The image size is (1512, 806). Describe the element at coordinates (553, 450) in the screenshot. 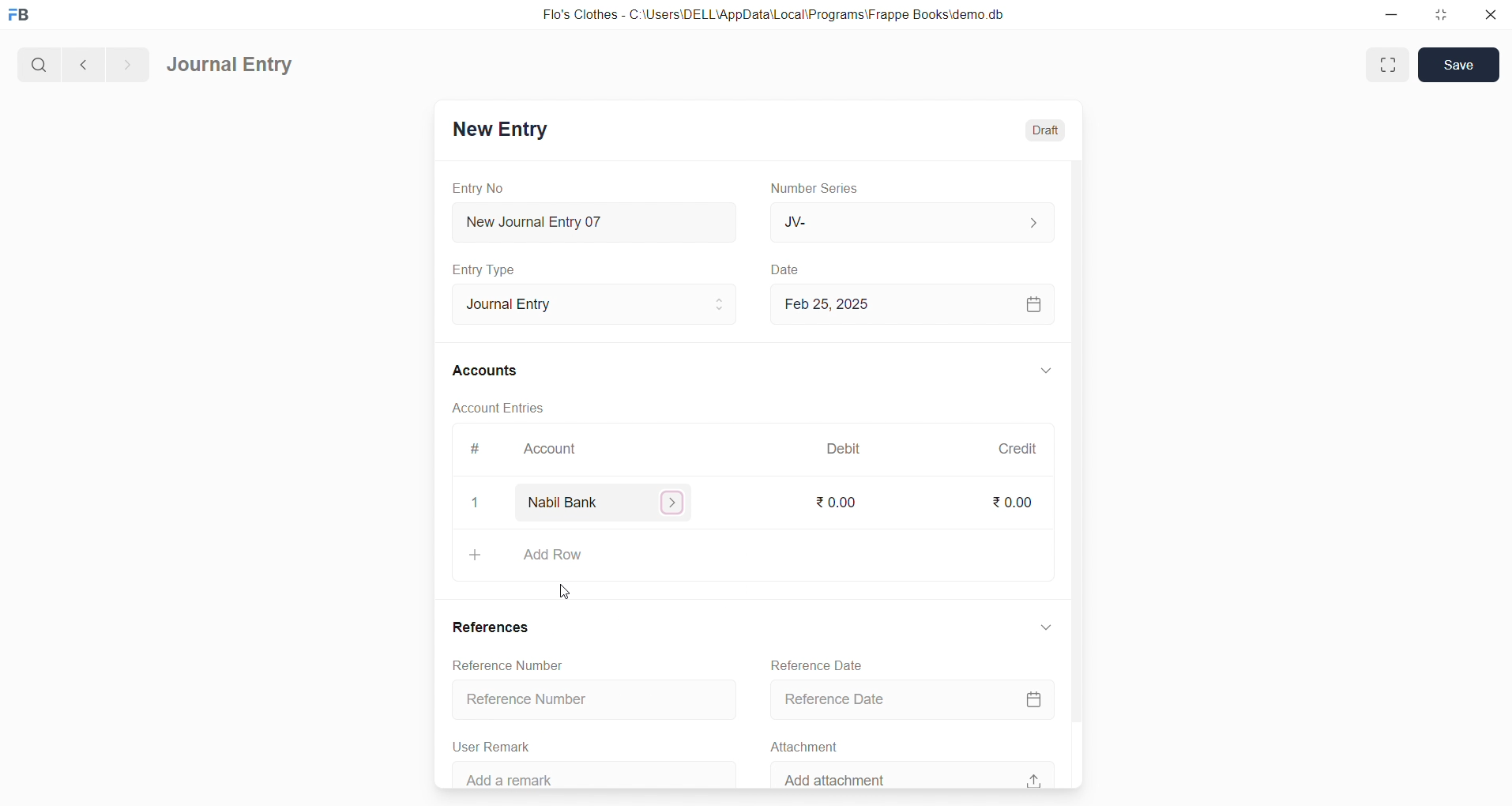

I see `Account` at that location.